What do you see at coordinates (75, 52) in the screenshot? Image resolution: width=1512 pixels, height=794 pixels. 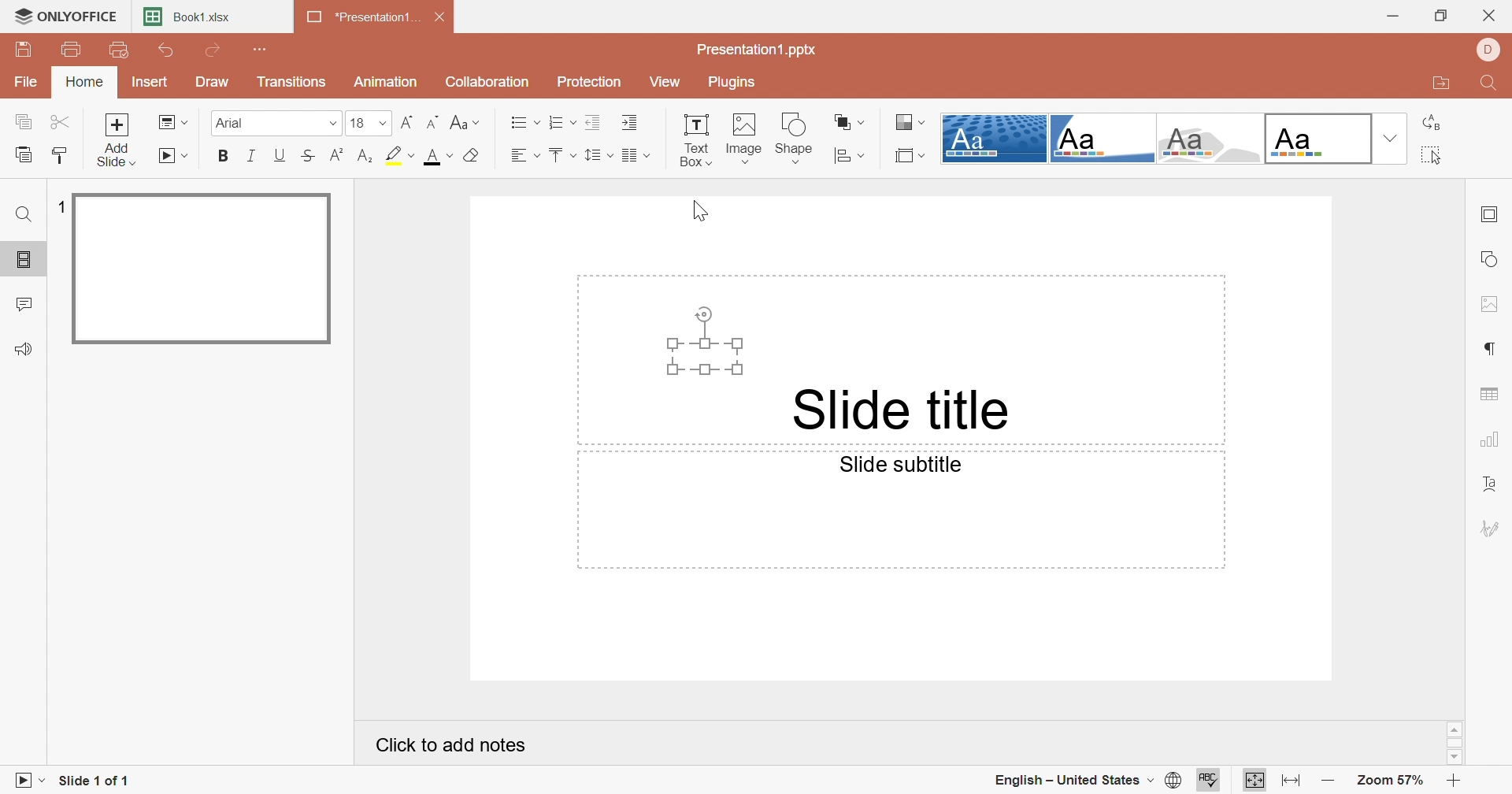 I see `Print file` at bounding box center [75, 52].